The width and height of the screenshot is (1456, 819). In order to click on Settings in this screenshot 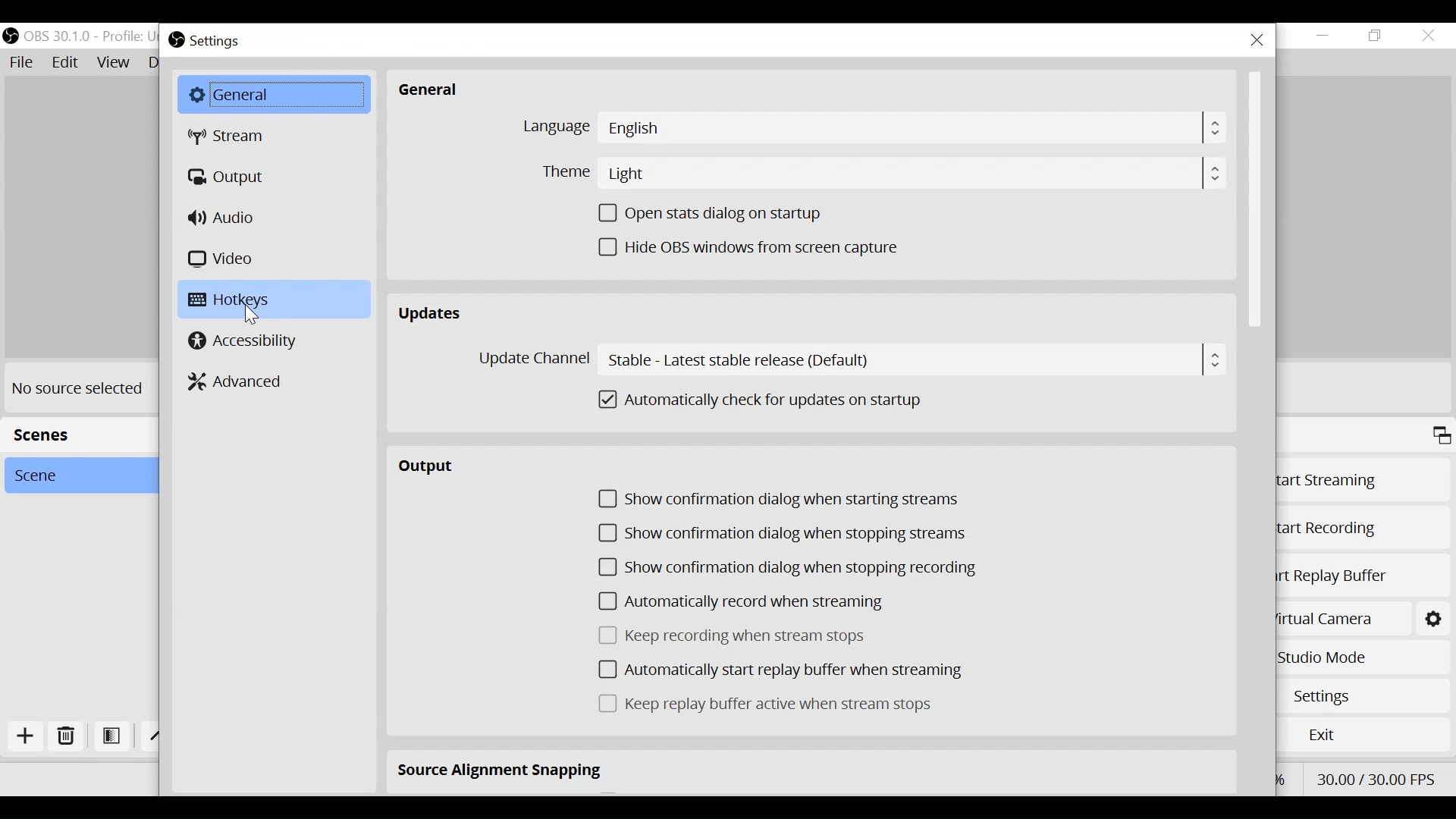, I will do `click(220, 39)`.